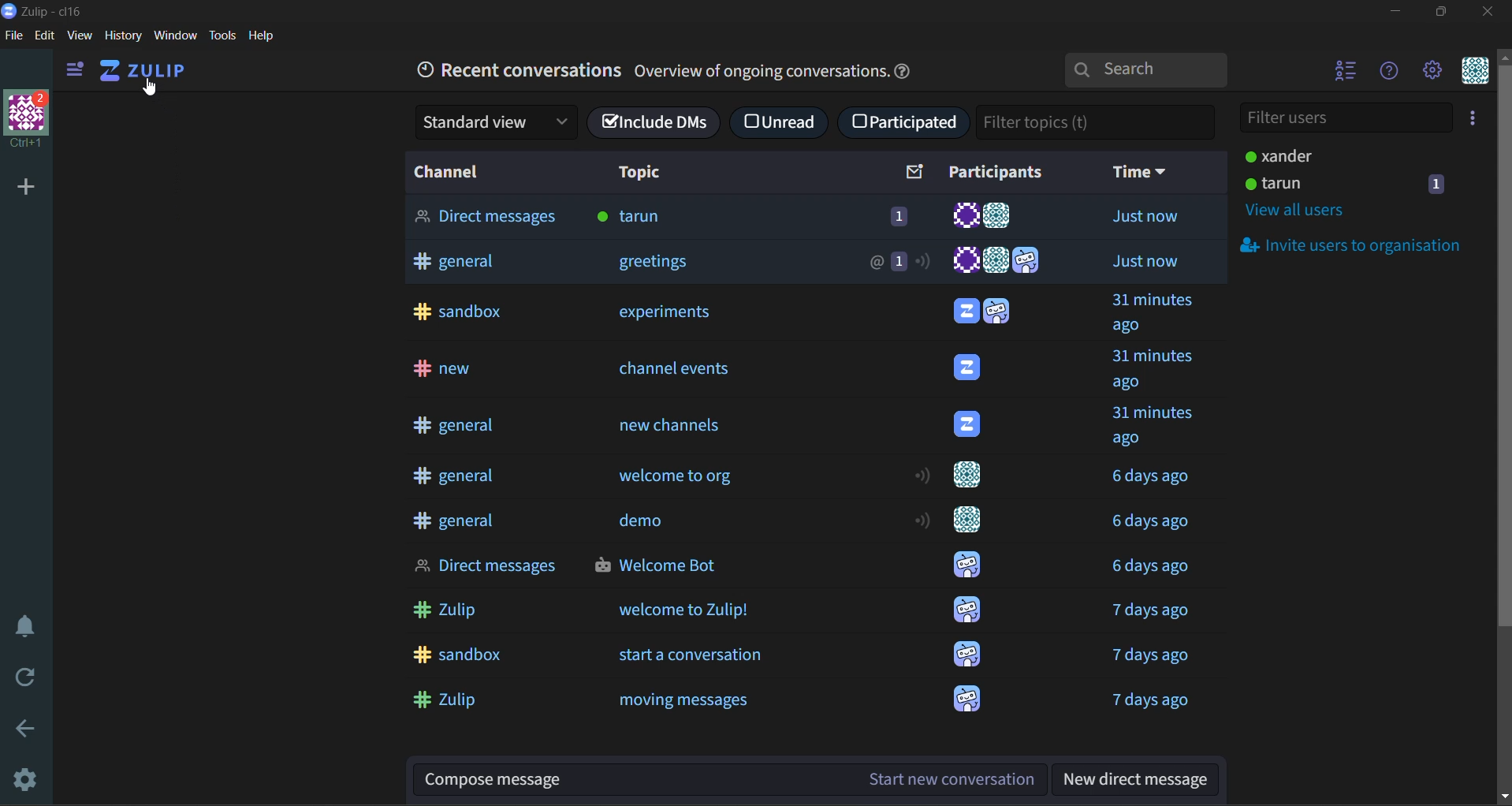 The width and height of the screenshot is (1512, 806). I want to click on User, so click(969, 611).